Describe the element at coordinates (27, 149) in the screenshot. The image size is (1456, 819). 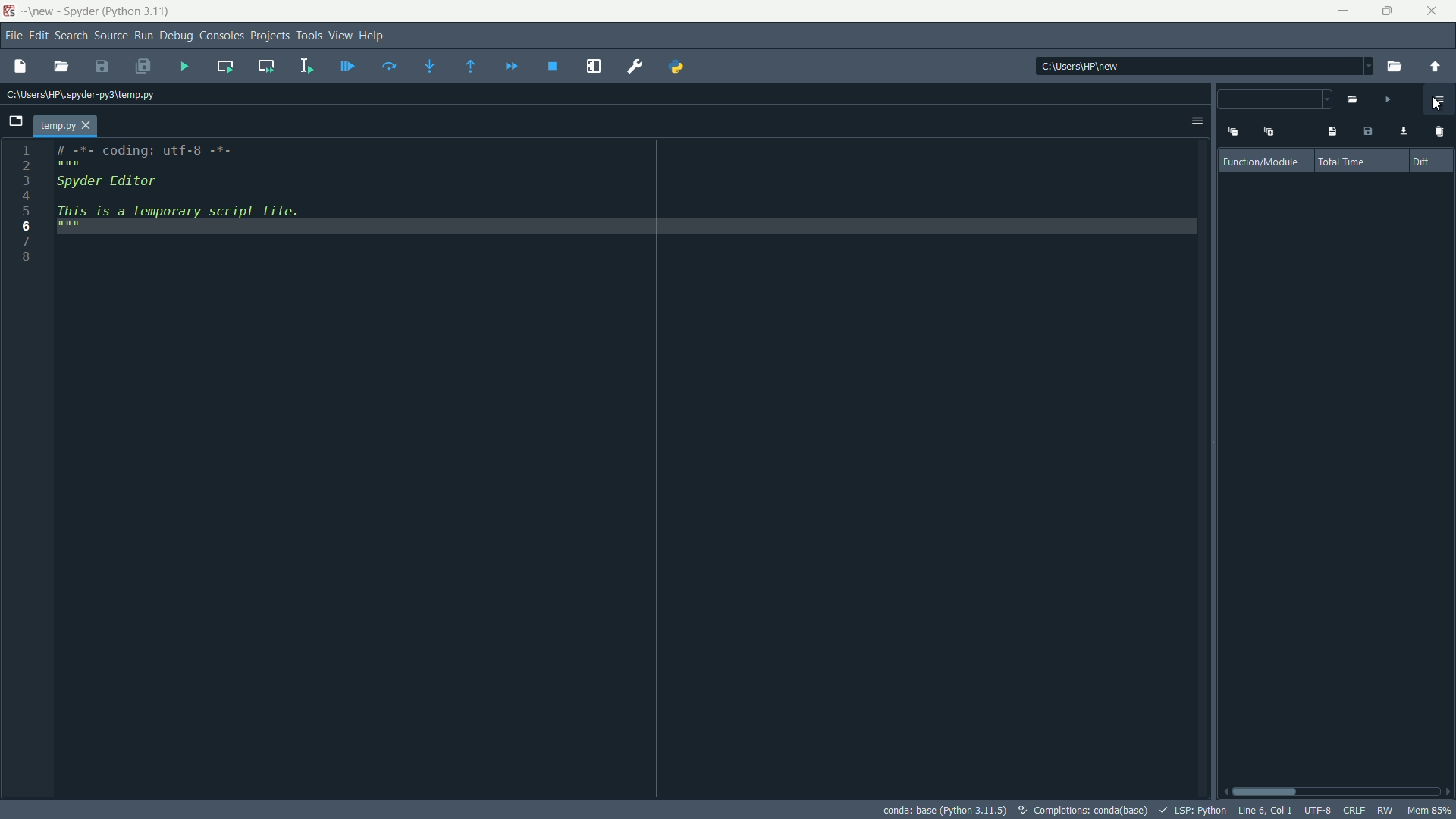
I see `1` at that location.